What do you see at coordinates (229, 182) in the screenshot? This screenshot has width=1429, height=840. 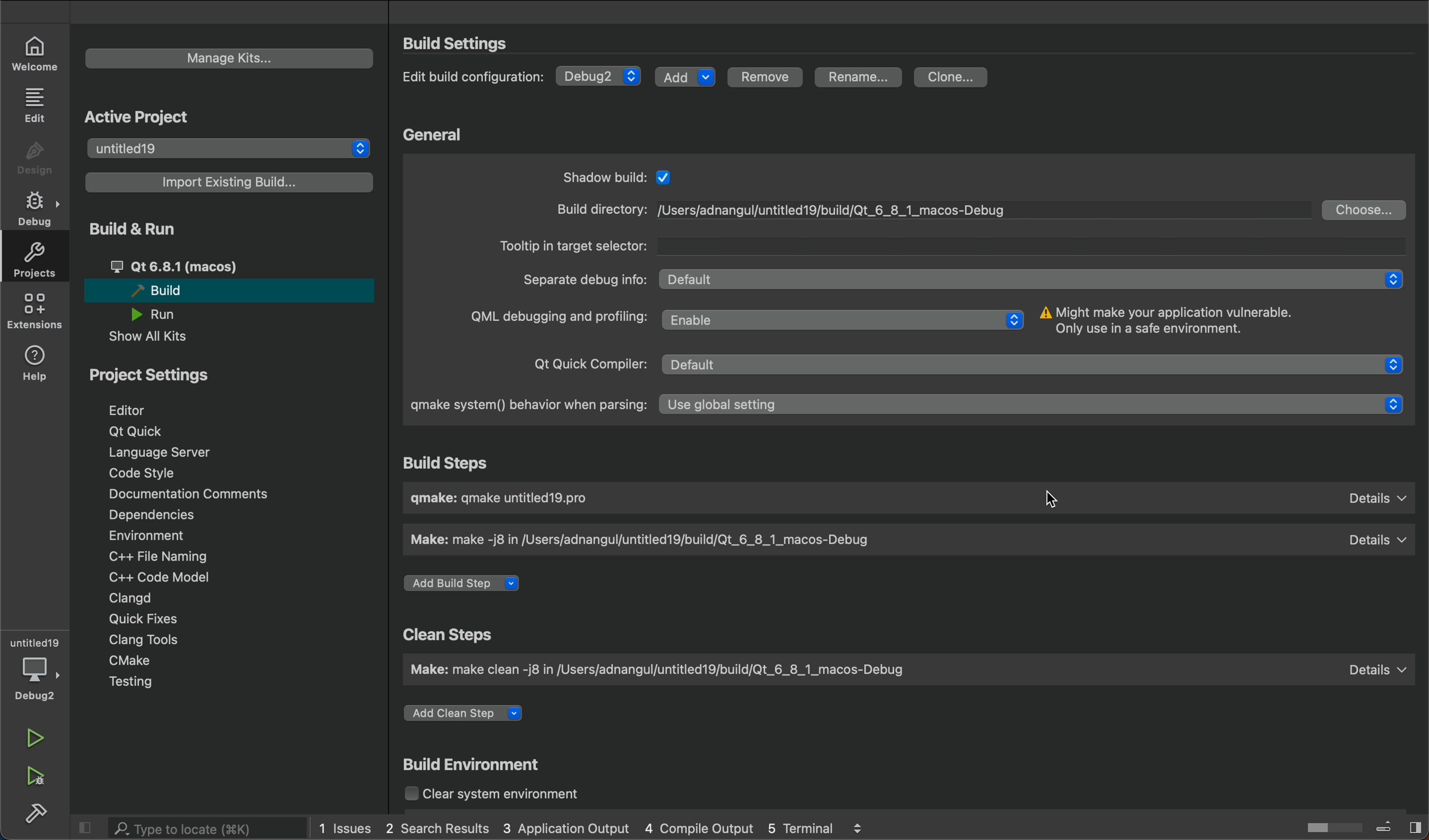 I see `import existing build` at bounding box center [229, 182].